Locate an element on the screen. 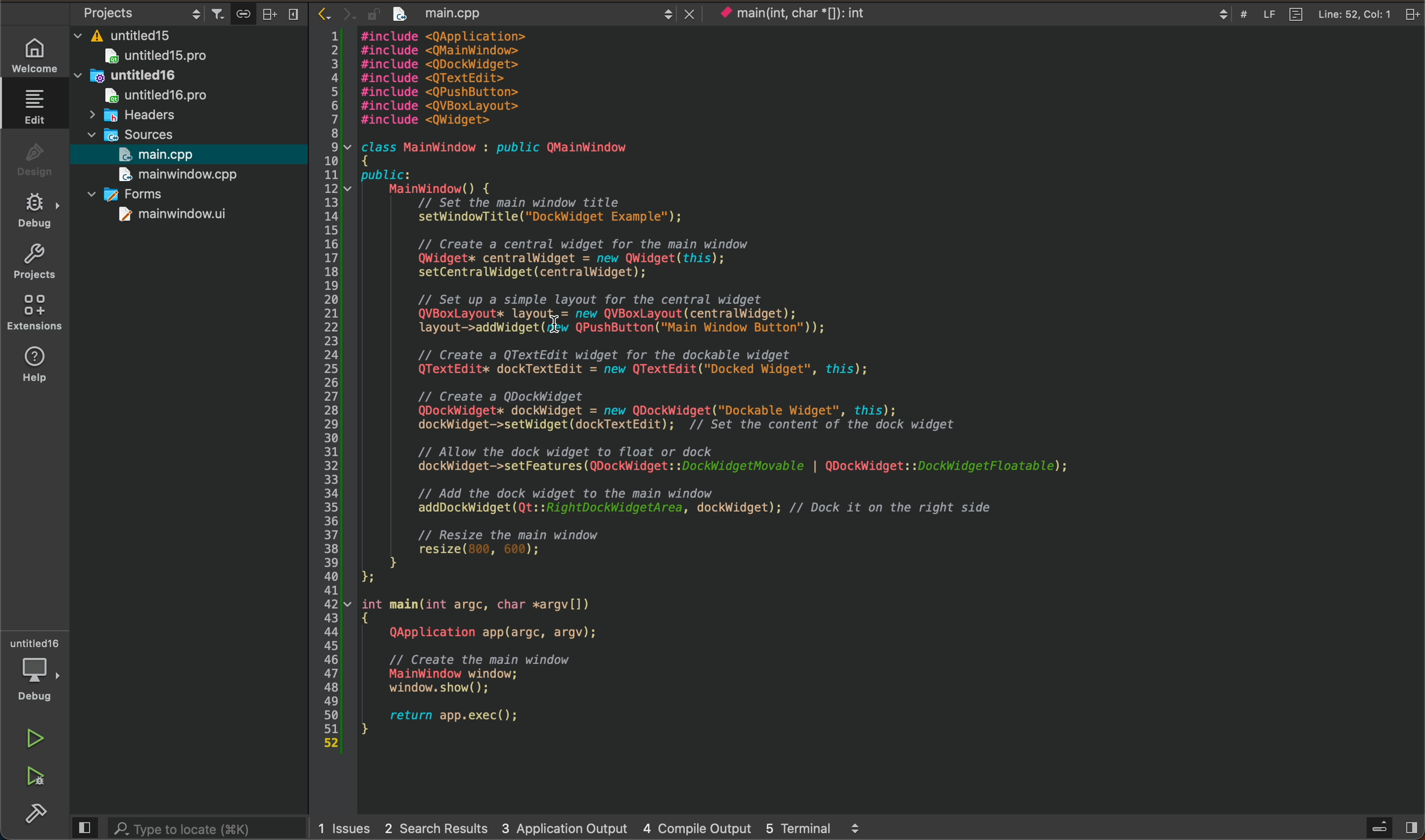  current context is located at coordinates (791, 14).